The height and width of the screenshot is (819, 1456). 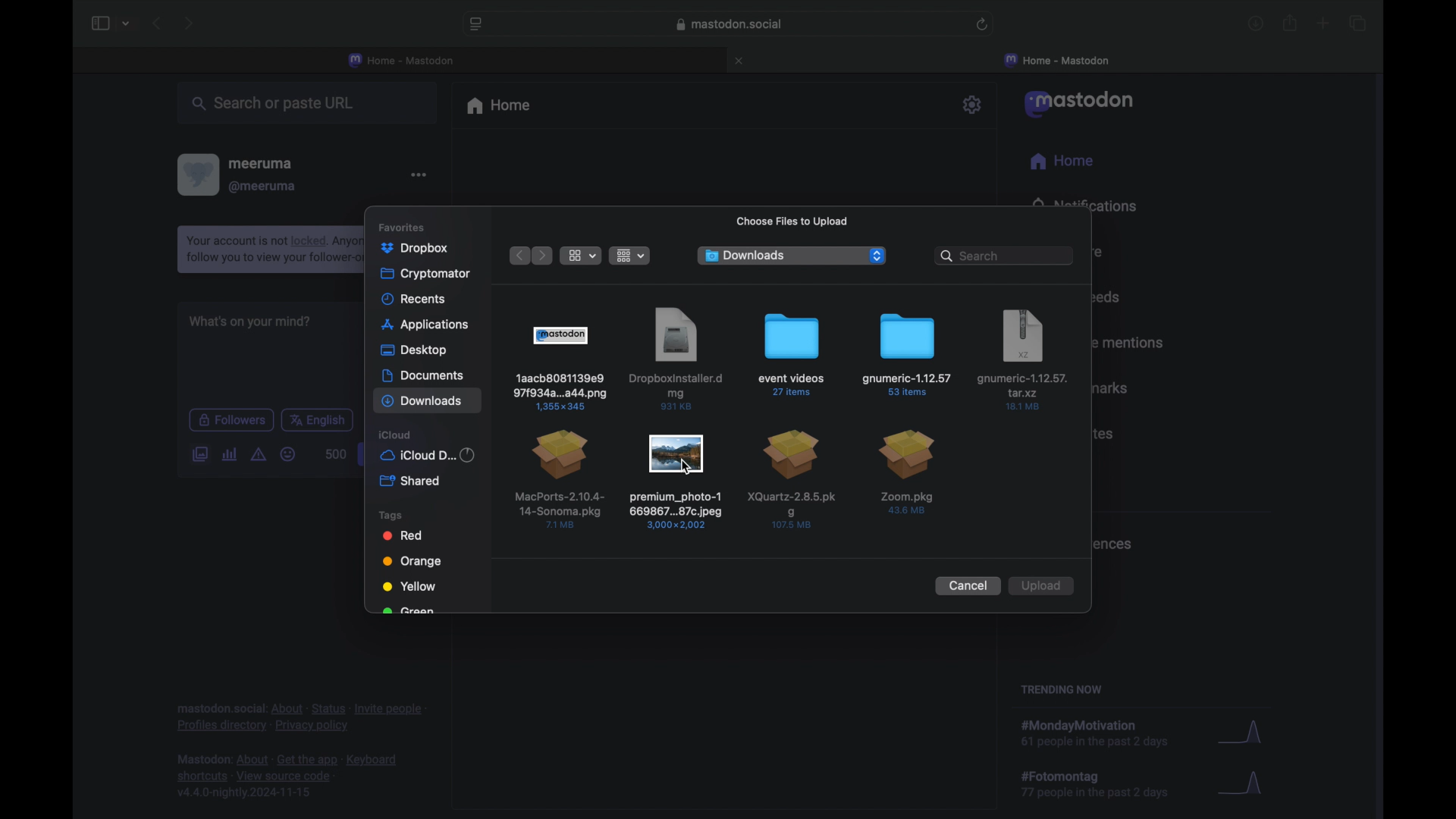 What do you see at coordinates (1289, 24) in the screenshot?
I see `share` at bounding box center [1289, 24].